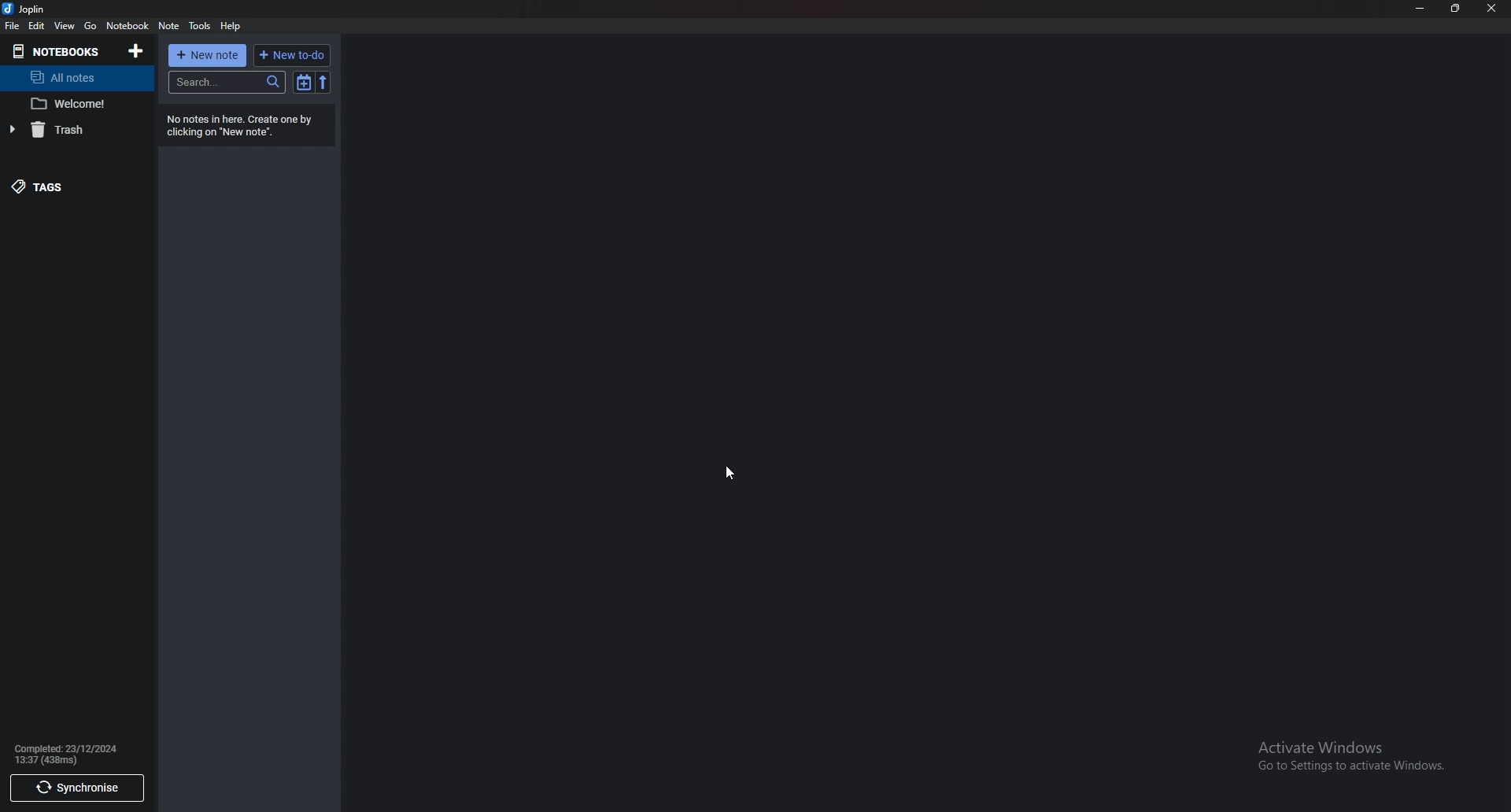 The width and height of the screenshot is (1511, 812). Describe the element at coordinates (169, 25) in the screenshot. I see `note` at that location.